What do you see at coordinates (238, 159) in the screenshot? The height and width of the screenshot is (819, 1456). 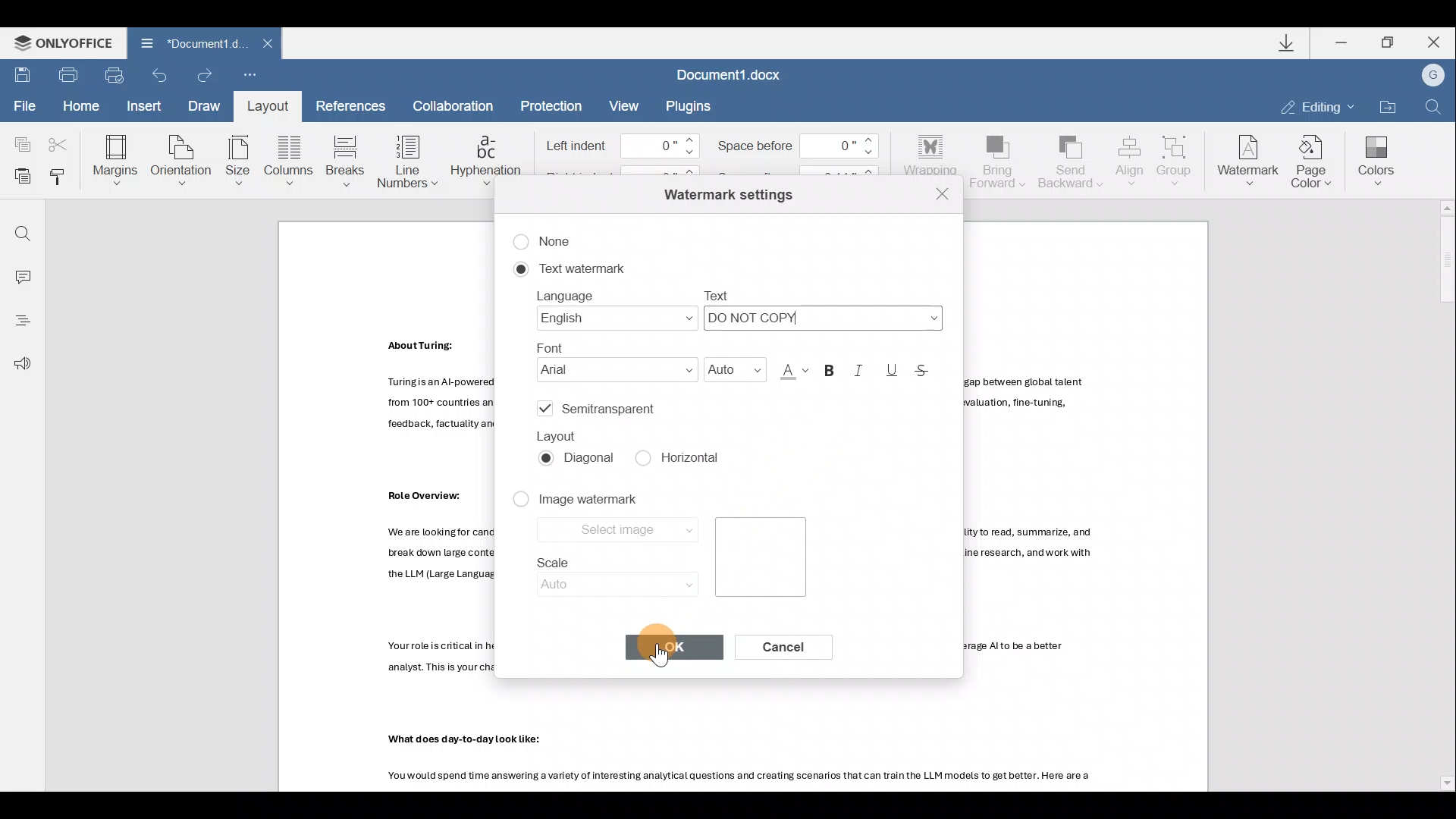 I see `Size` at bounding box center [238, 159].